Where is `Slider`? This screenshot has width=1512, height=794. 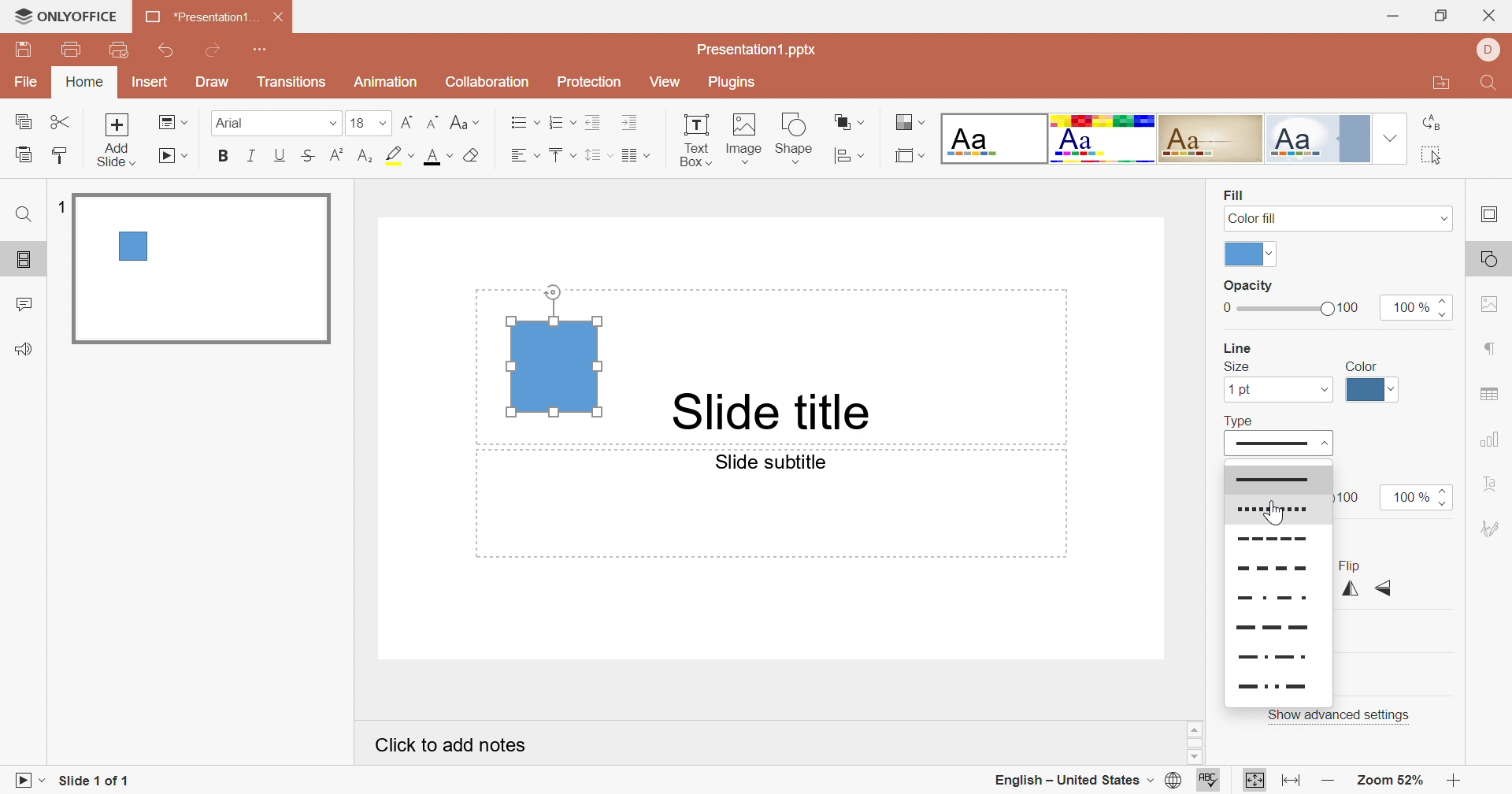
Slider is located at coordinates (1284, 310).